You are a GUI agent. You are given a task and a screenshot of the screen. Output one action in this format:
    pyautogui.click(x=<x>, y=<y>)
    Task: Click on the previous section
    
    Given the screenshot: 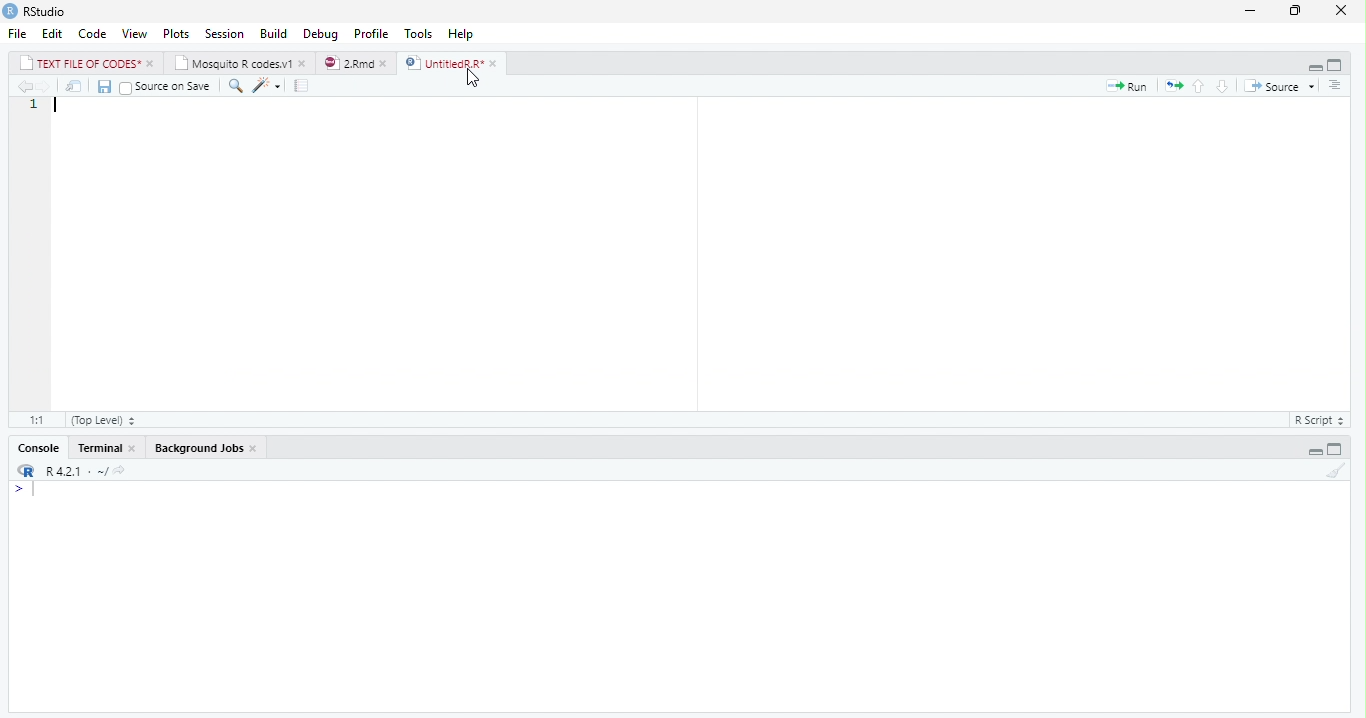 What is the action you would take?
    pyautogui.click(x=1199, y=87)
    